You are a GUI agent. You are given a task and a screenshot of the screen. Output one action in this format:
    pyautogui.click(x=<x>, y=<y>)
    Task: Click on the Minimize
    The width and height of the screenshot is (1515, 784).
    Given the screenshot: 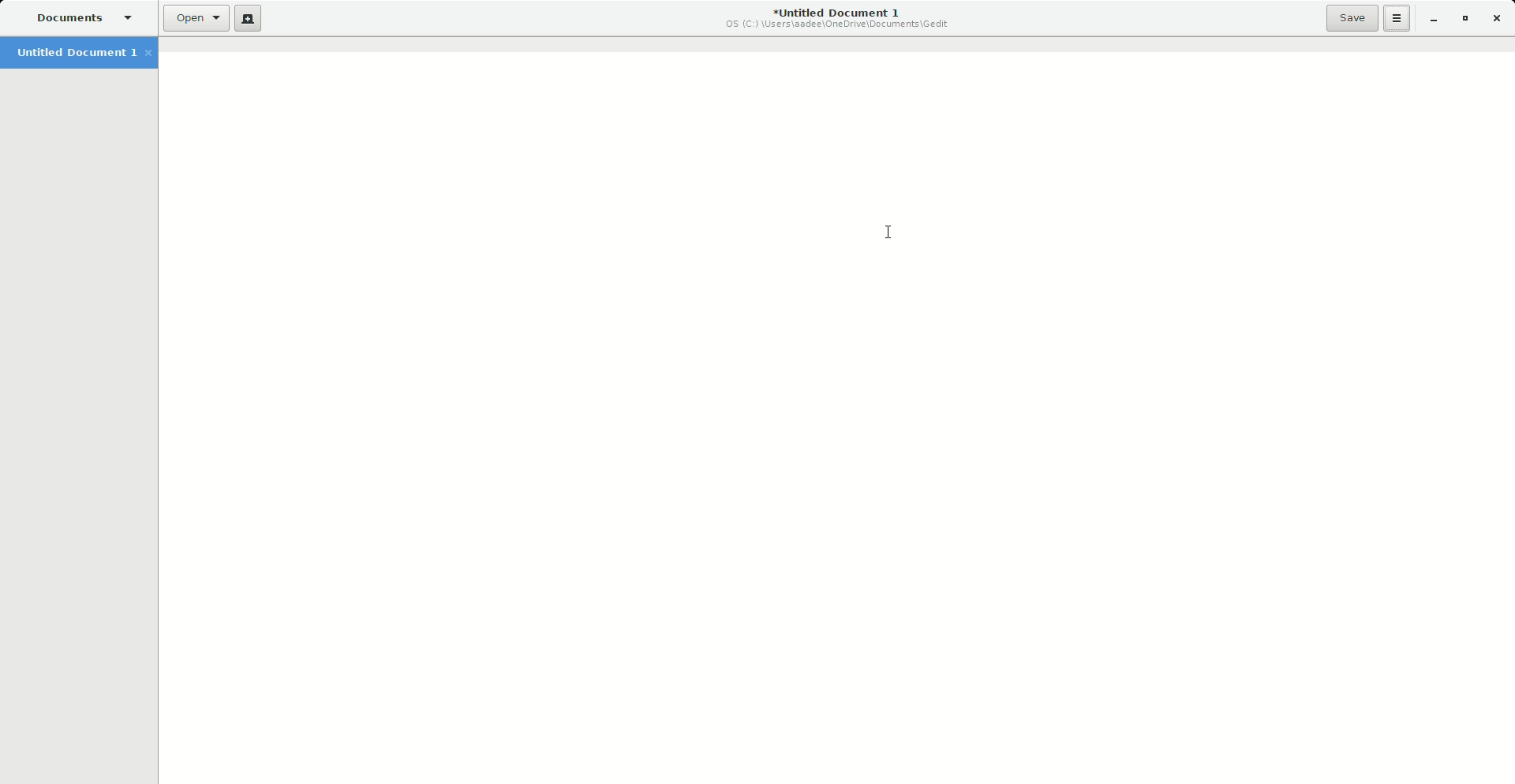 What is the action you would take?
    pyautogui.click(x=1427, y=19)
    